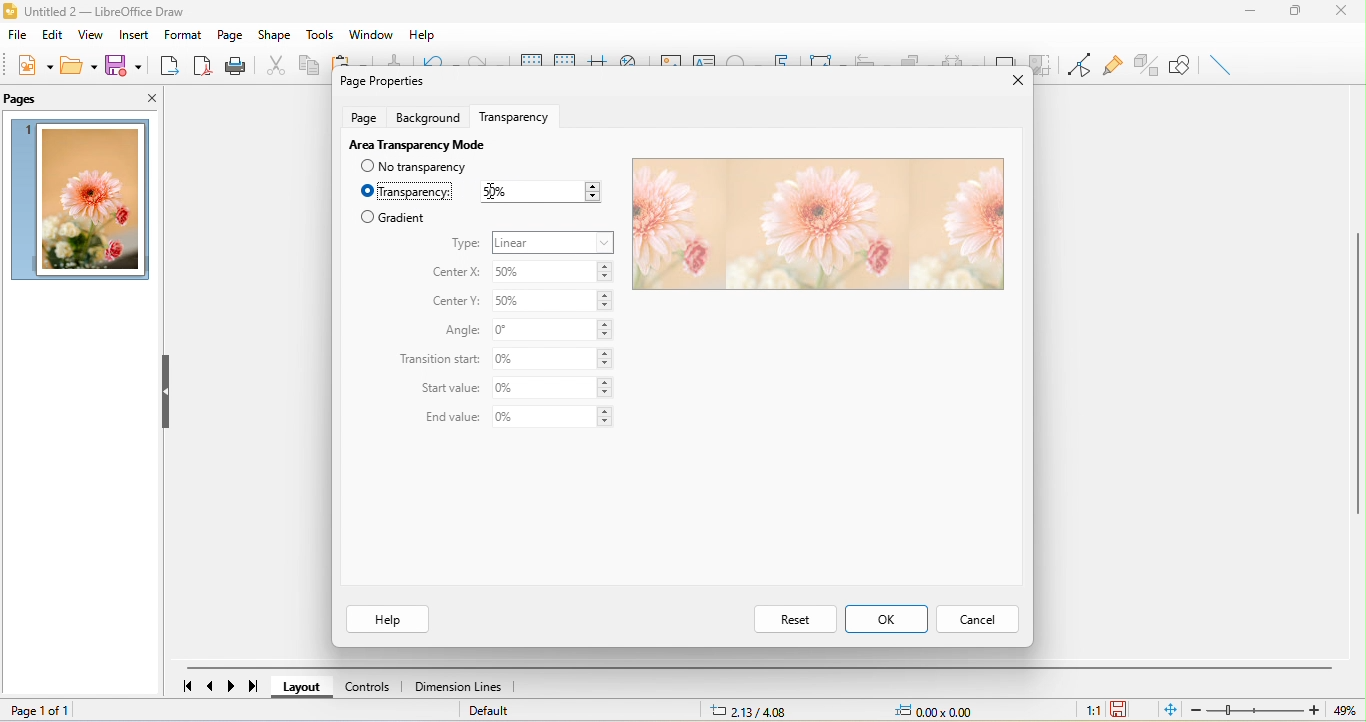 Image resolution: width=1366 pixels, height=722 pixels. What do you see at coordinates (554, 242) in the screenshot?
I see `linear` at bounding box center [554, 242].